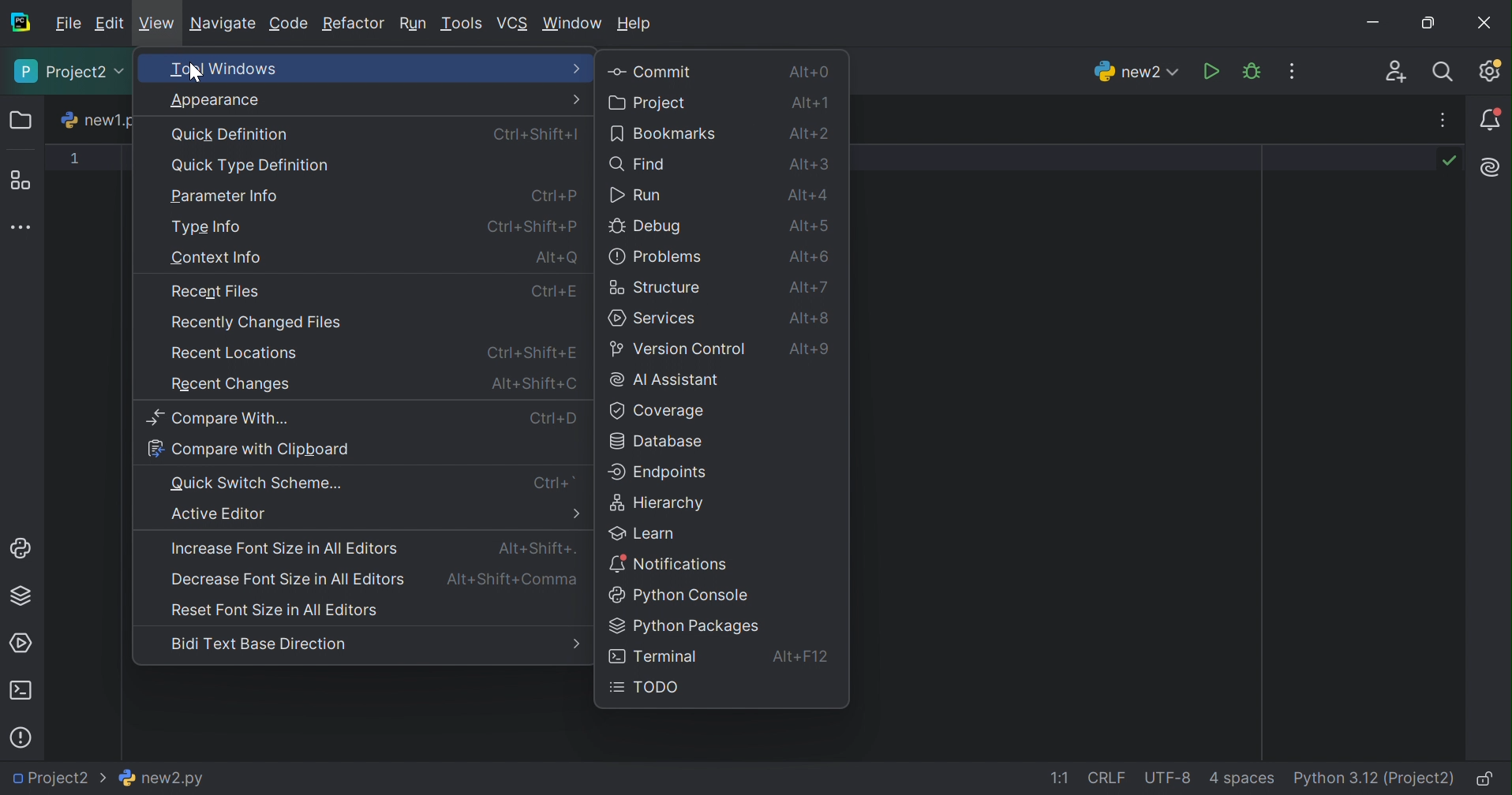 Image resolution: width=1512 pixels, height=795 pixels. What do you see at coordinates (814, 257) in the screenshot?
I see `Alt+6` at bounding box center [814, 257].